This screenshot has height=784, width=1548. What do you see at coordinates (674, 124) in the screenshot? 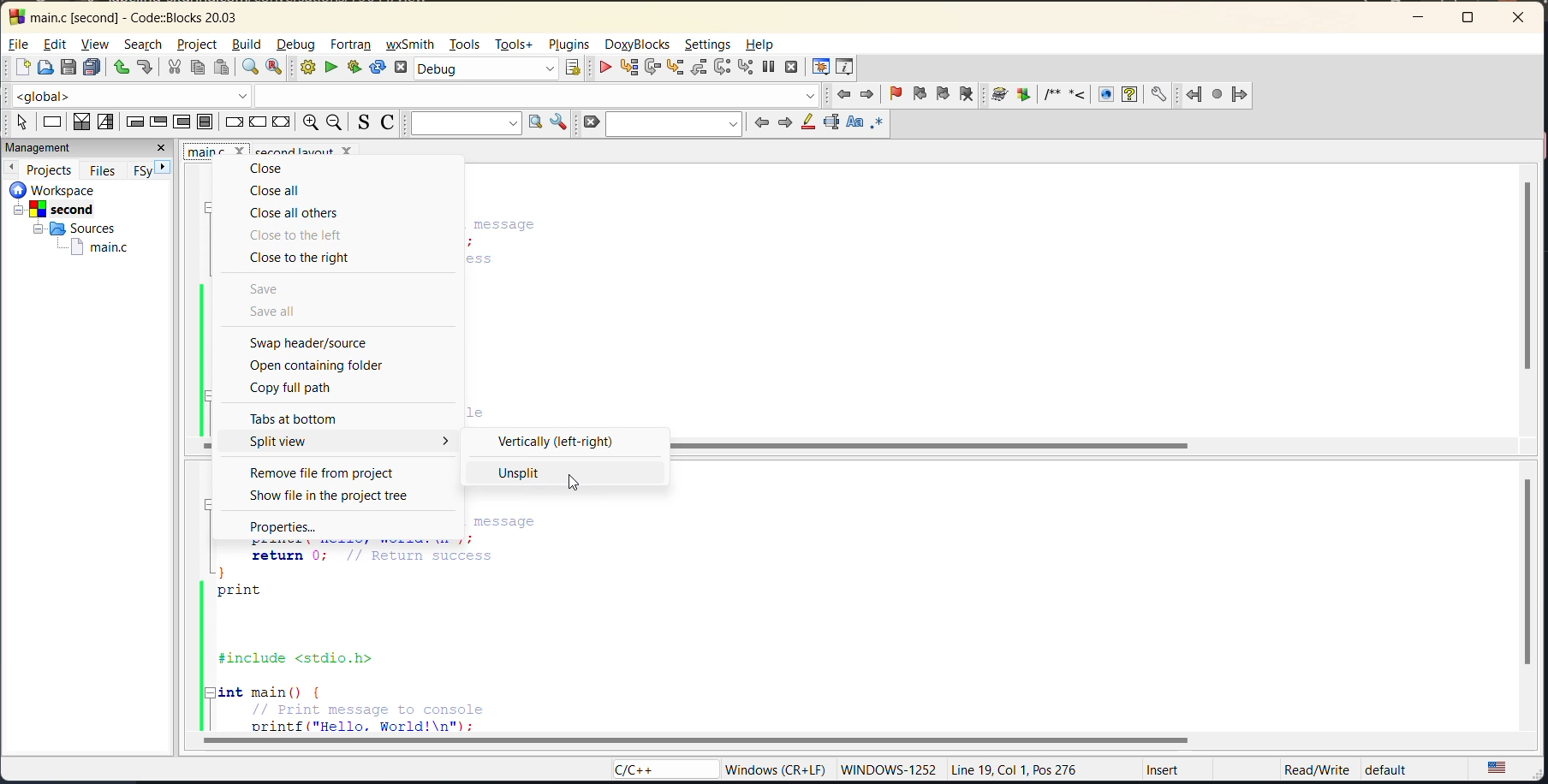
I see `search` at bounding box center [674, 124].